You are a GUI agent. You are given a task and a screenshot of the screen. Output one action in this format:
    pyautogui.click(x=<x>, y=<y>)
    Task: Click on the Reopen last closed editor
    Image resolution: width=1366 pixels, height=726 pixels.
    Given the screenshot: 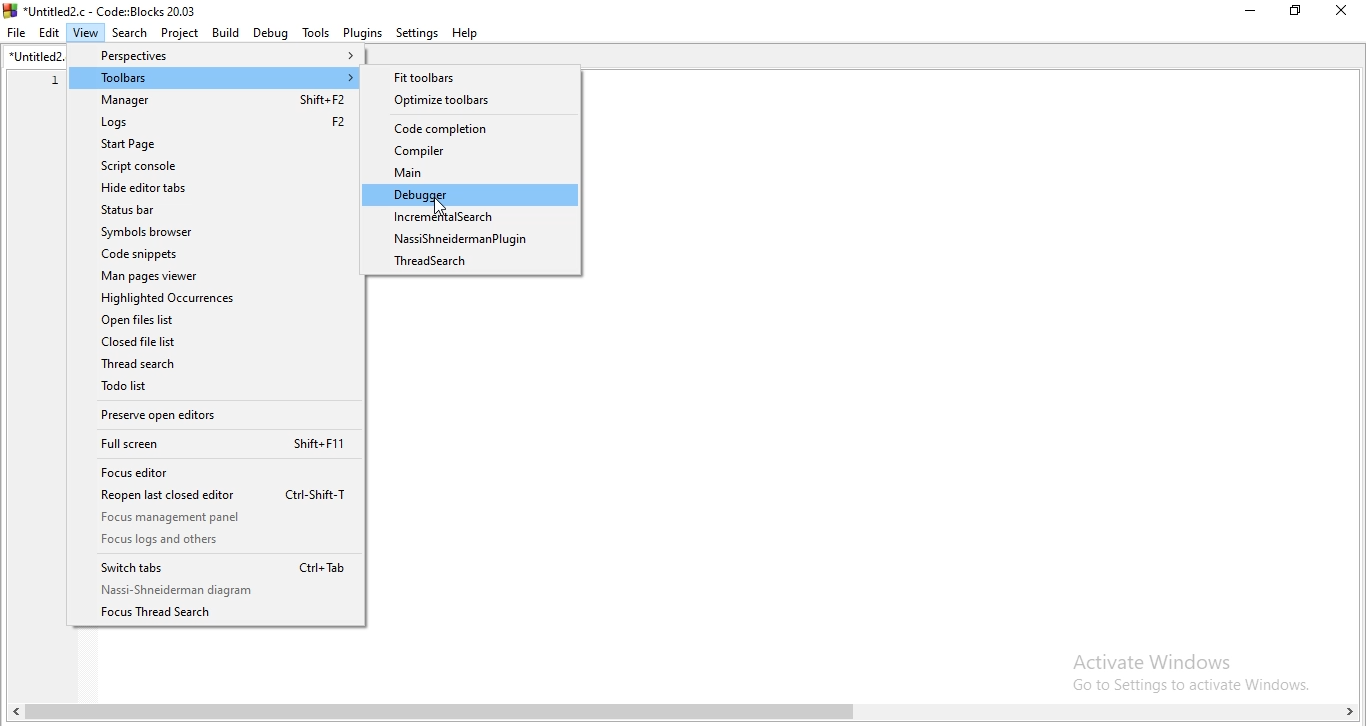 What is the action you would take?
    pyautogui.click(x=216, y=496)
    